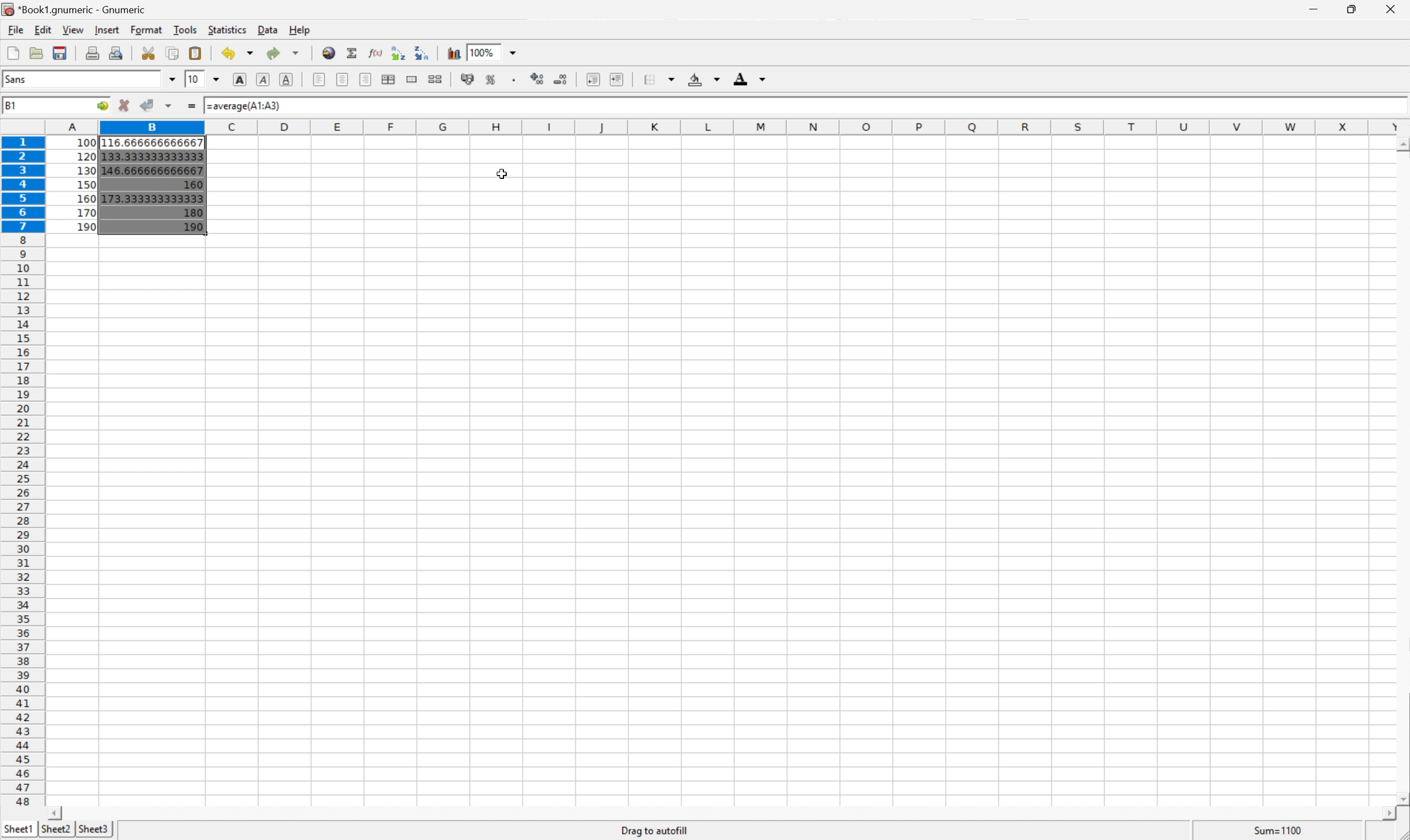 Image resolution: width=1410 pixels, height=840 pixels. I want to click on Cancel changes, so click(127, 105).